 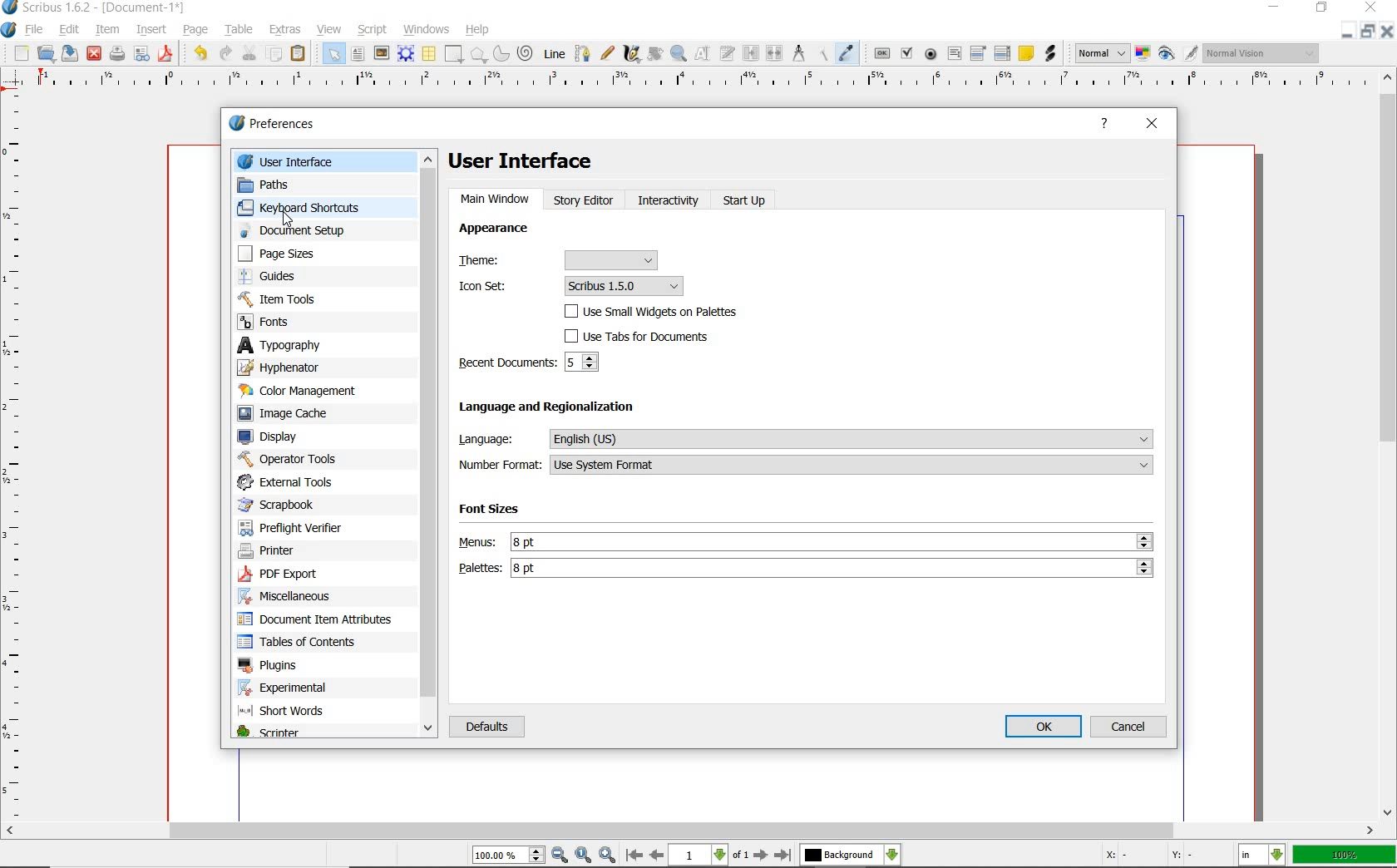 What do you see at coordinates (805, 570) in the screenshot?
I see `palettes` at bounding box center [805, 570].